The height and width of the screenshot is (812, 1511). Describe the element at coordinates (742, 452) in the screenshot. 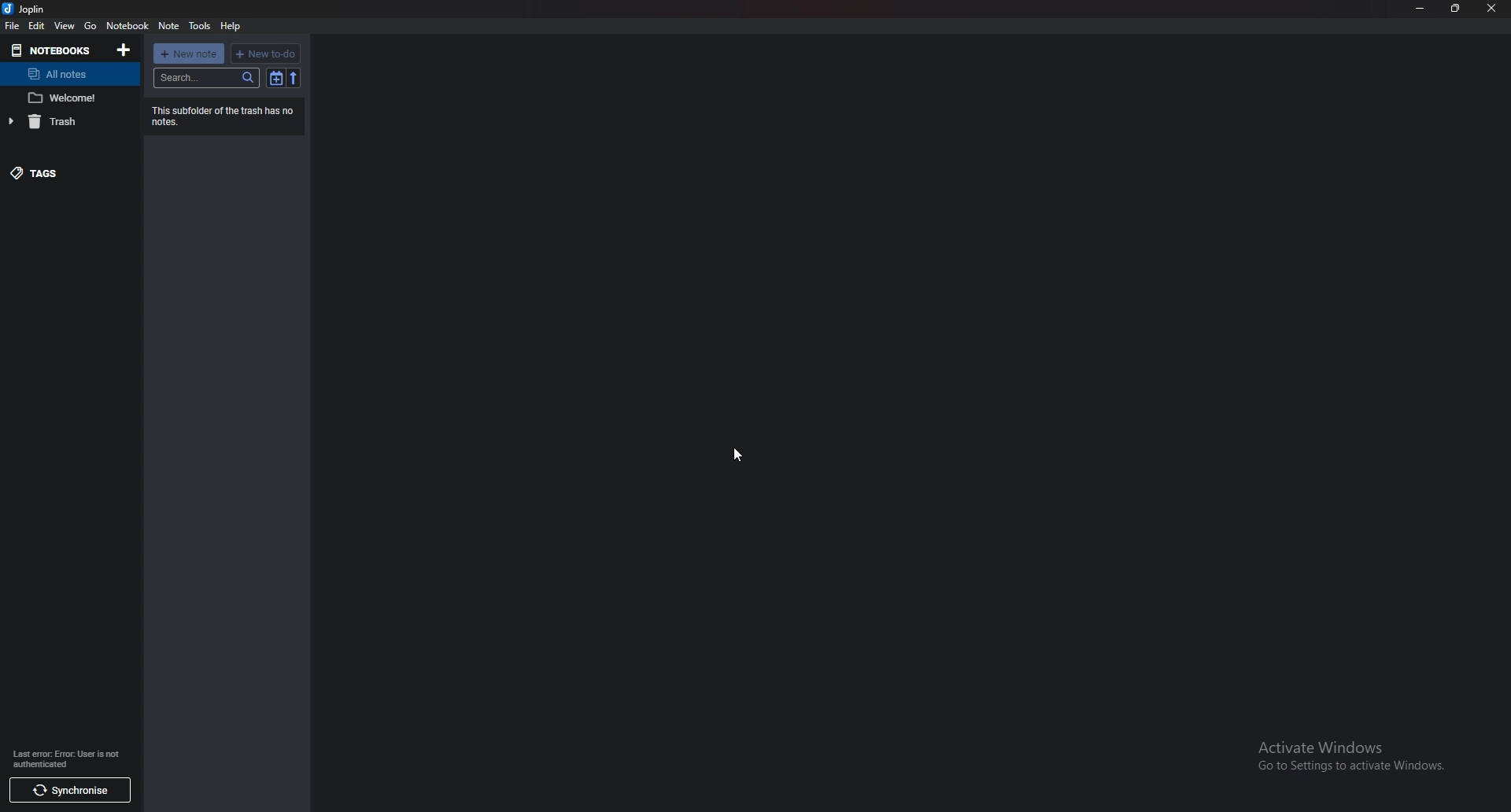

I see `Pointer` at that location.